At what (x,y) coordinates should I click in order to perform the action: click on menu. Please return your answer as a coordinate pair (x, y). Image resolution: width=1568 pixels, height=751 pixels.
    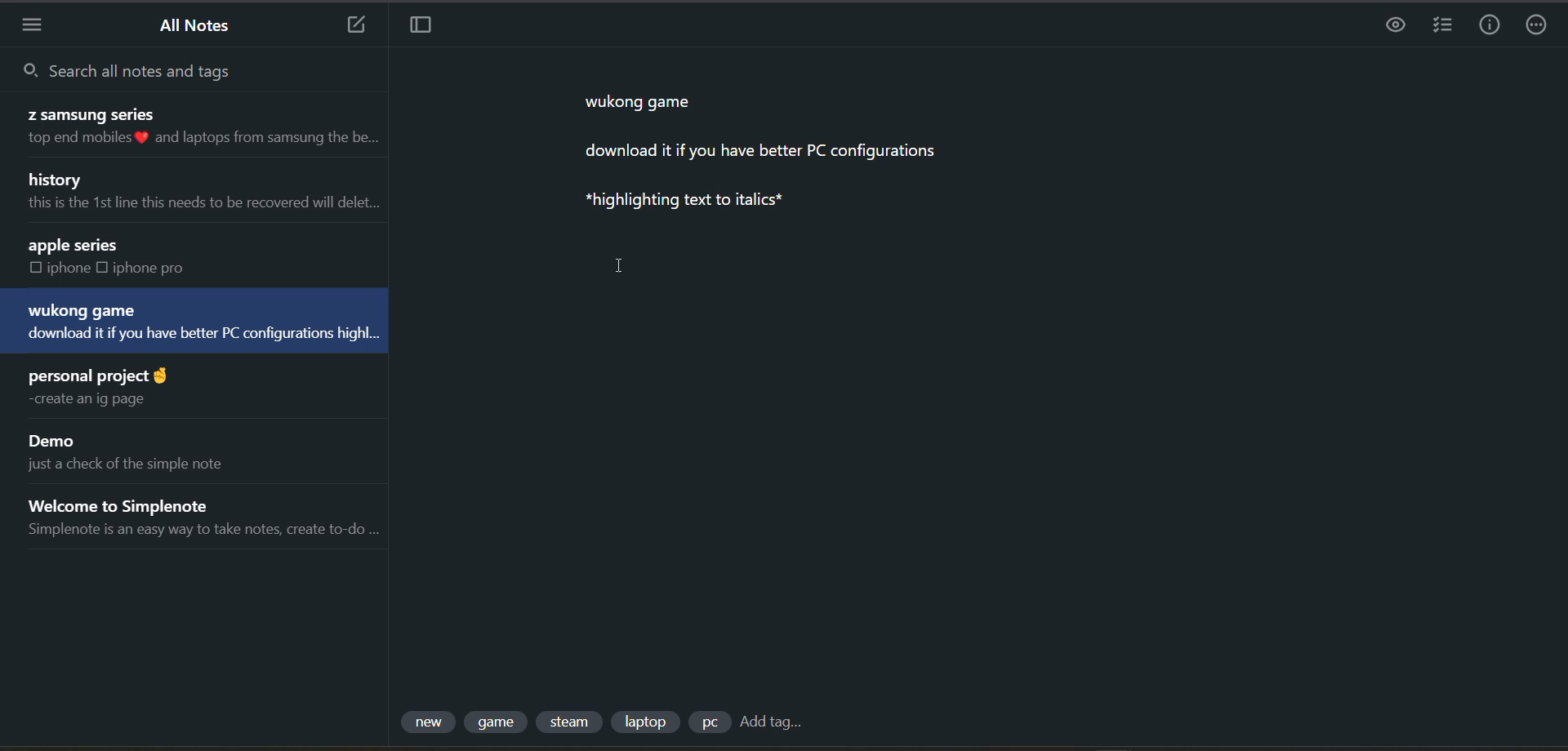
    Looking at the image, I should click on (33, 24).